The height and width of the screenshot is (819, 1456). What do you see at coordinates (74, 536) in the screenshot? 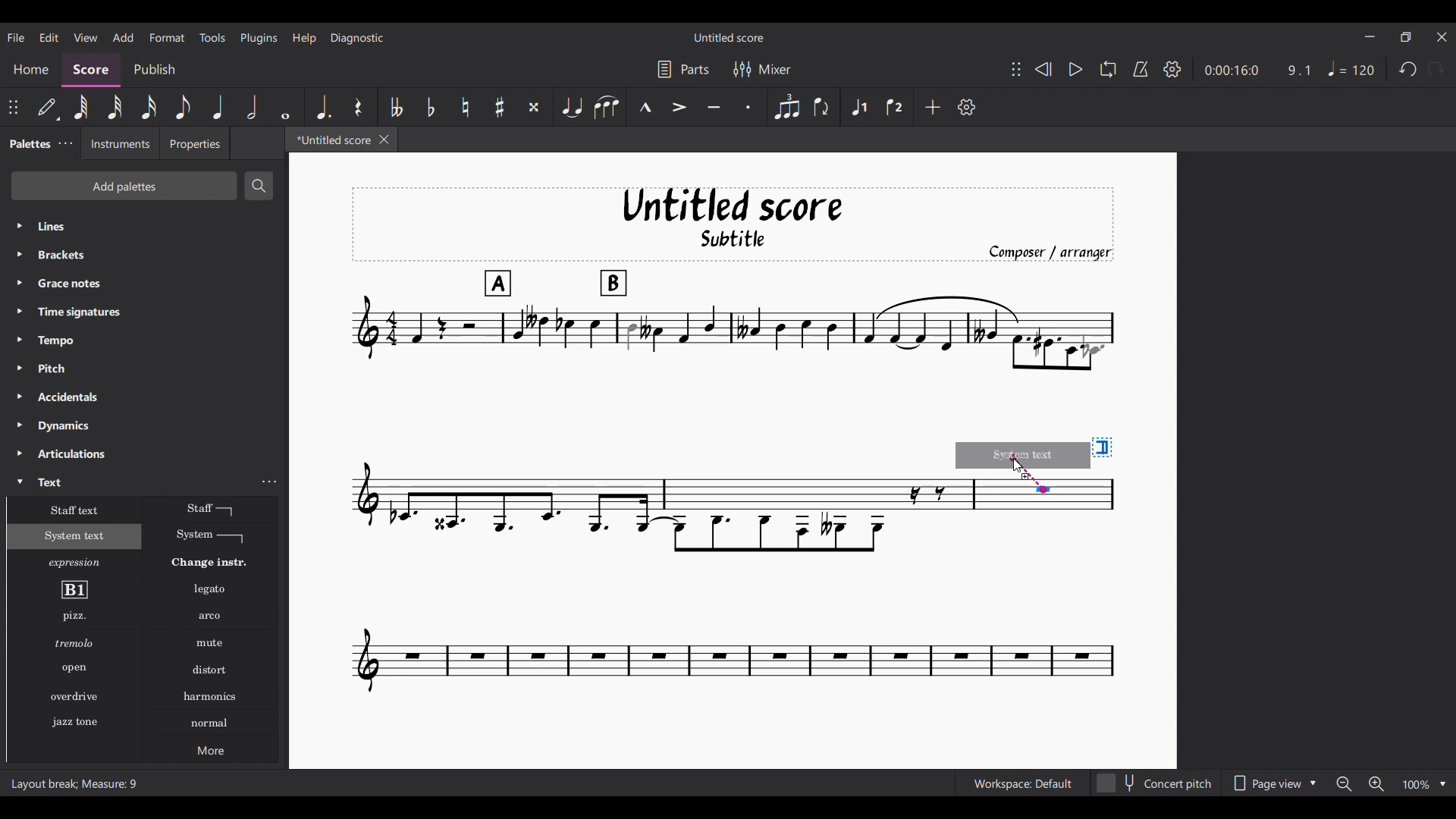
I see `System text, highlighted as current selection` at bounding box center [74, 536].